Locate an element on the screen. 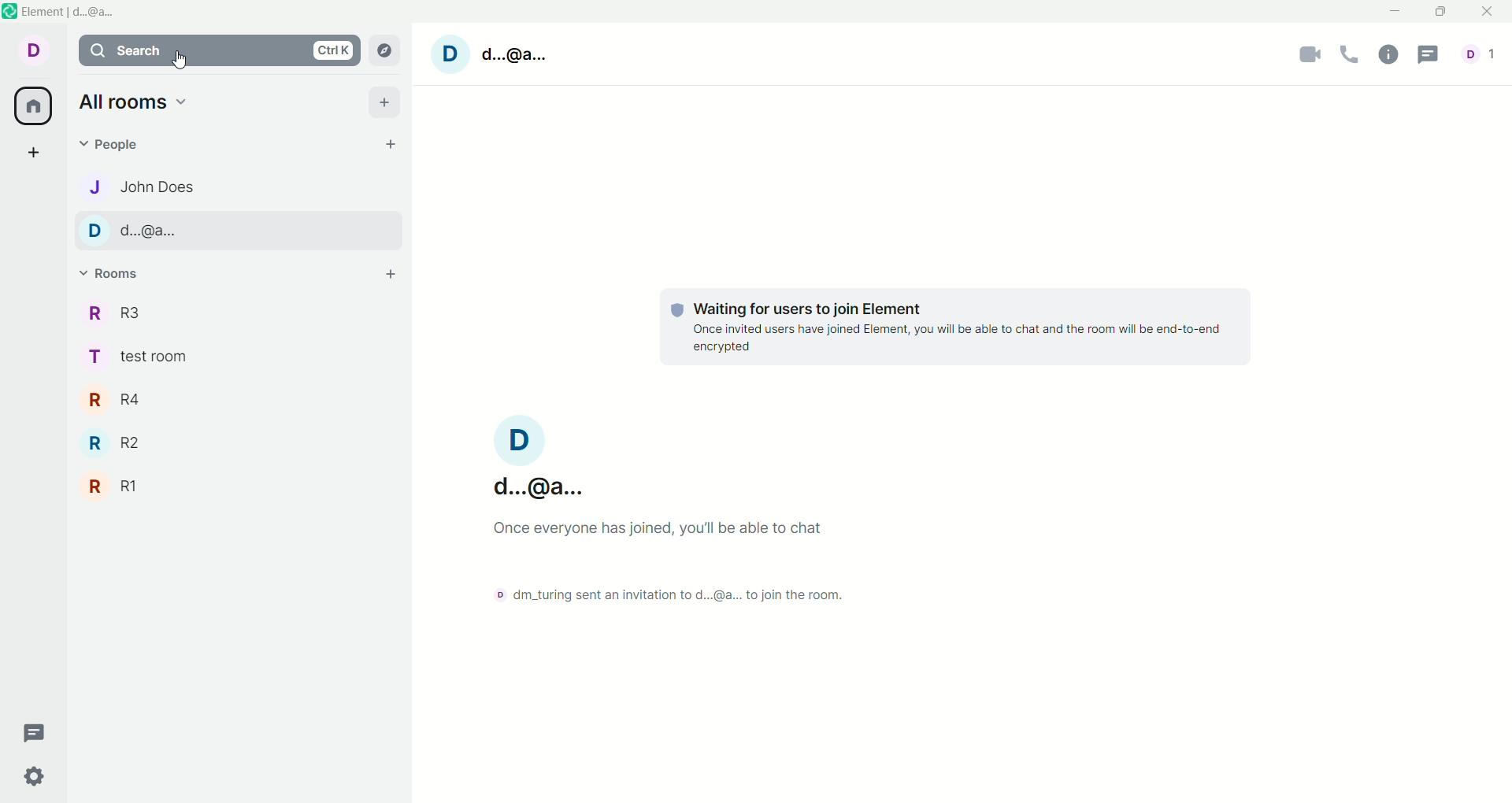 The height and width of the screenshot is (803, 1512). R1 is located at coordinates (236, 487).